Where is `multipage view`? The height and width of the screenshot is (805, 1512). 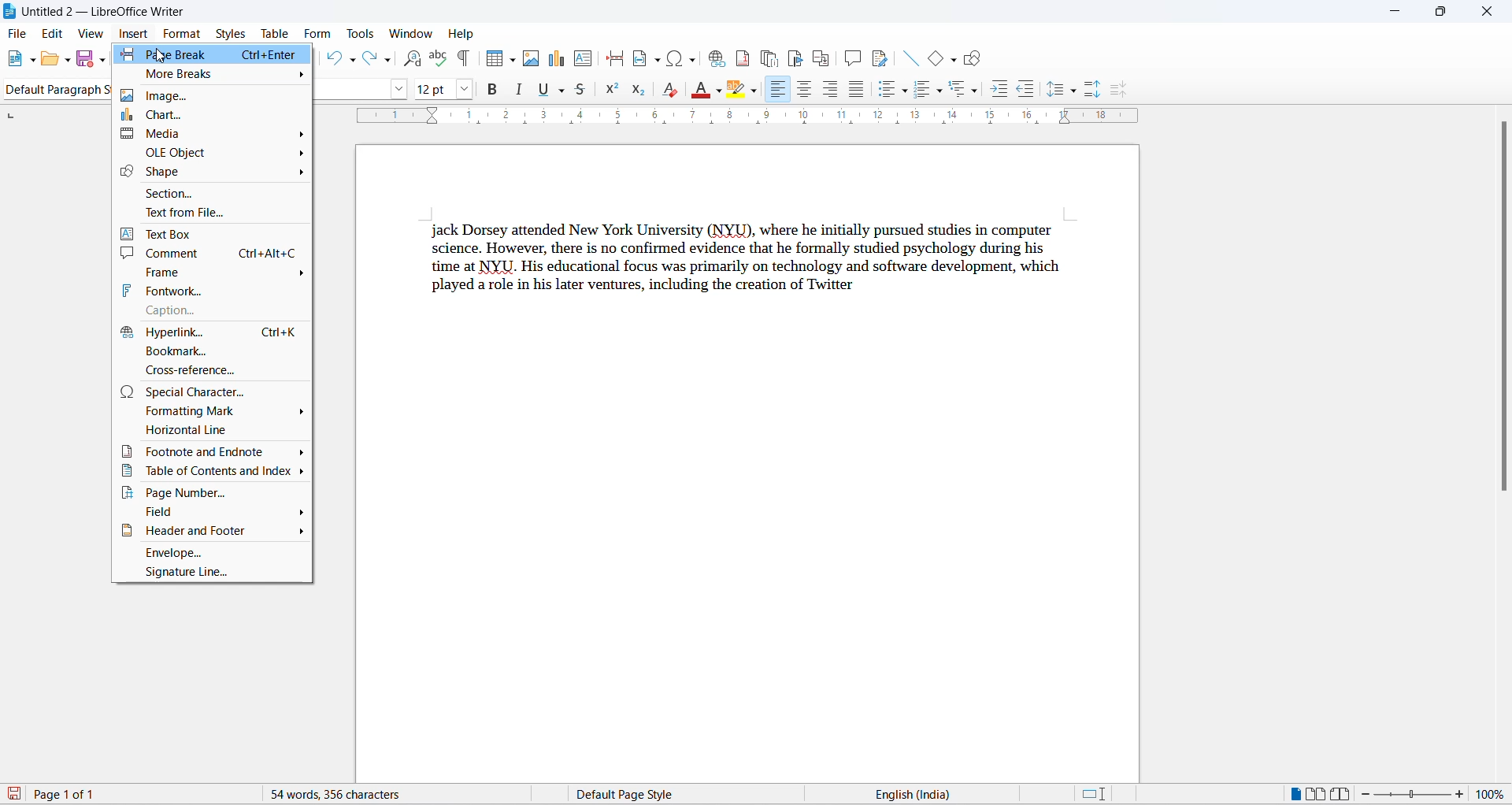
multipage view is located at coordinates (1317, 793).